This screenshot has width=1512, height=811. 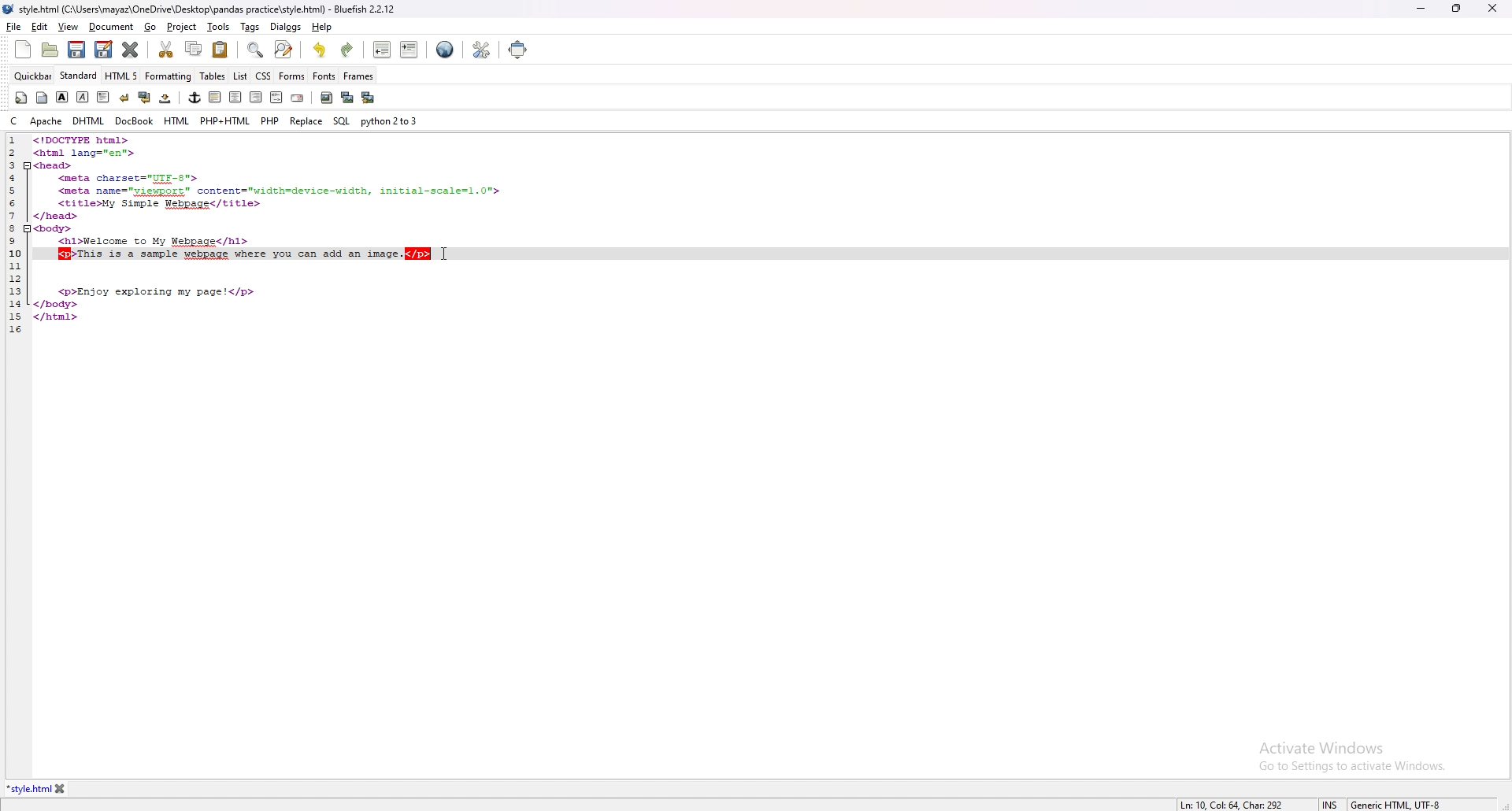 What do you see at coordinates (16, 120) in the screenshot?
I see `c` at bounding box center [16, 120].